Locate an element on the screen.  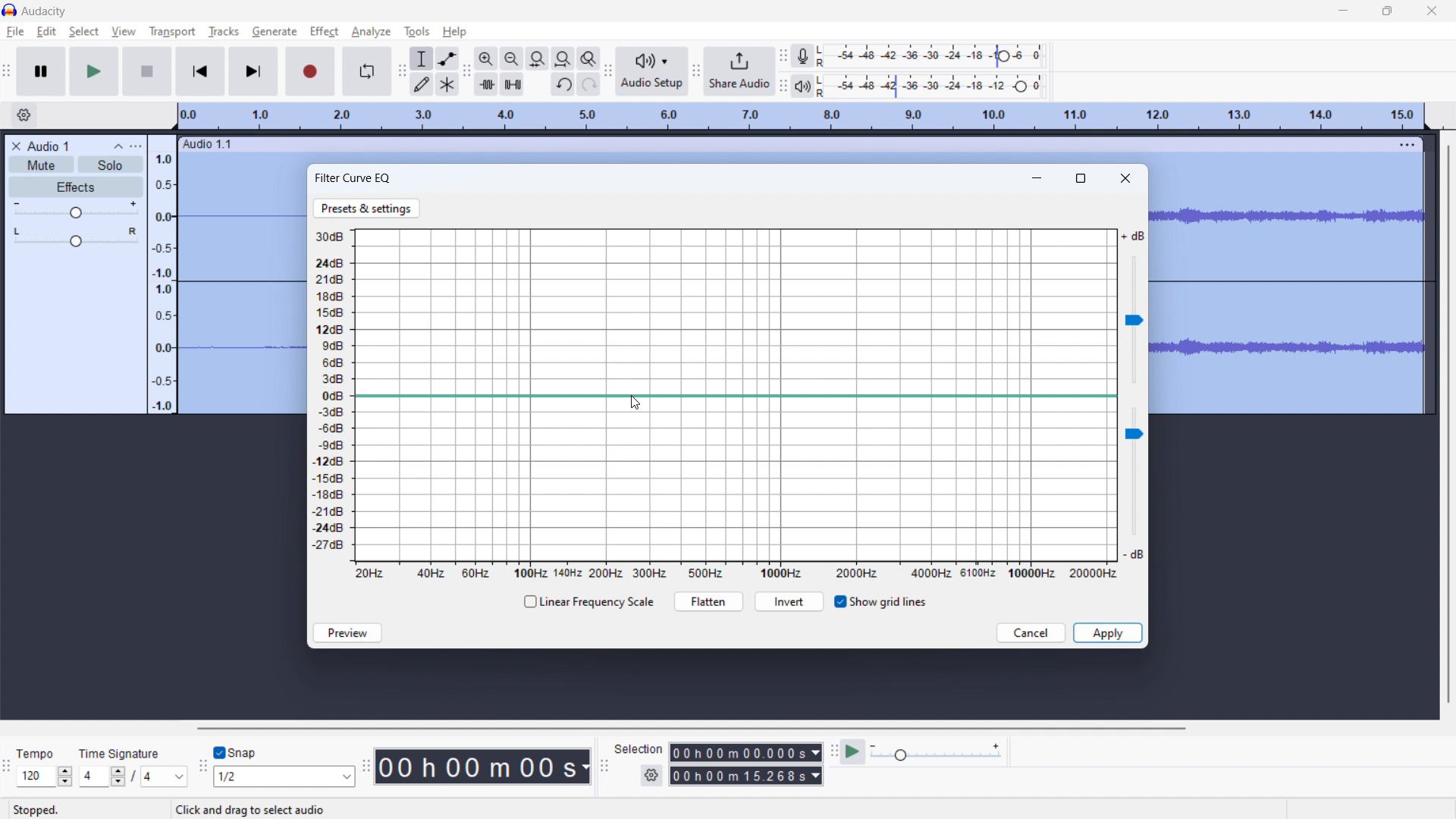
playback meter toolbar is located at coordinates (783, 85).